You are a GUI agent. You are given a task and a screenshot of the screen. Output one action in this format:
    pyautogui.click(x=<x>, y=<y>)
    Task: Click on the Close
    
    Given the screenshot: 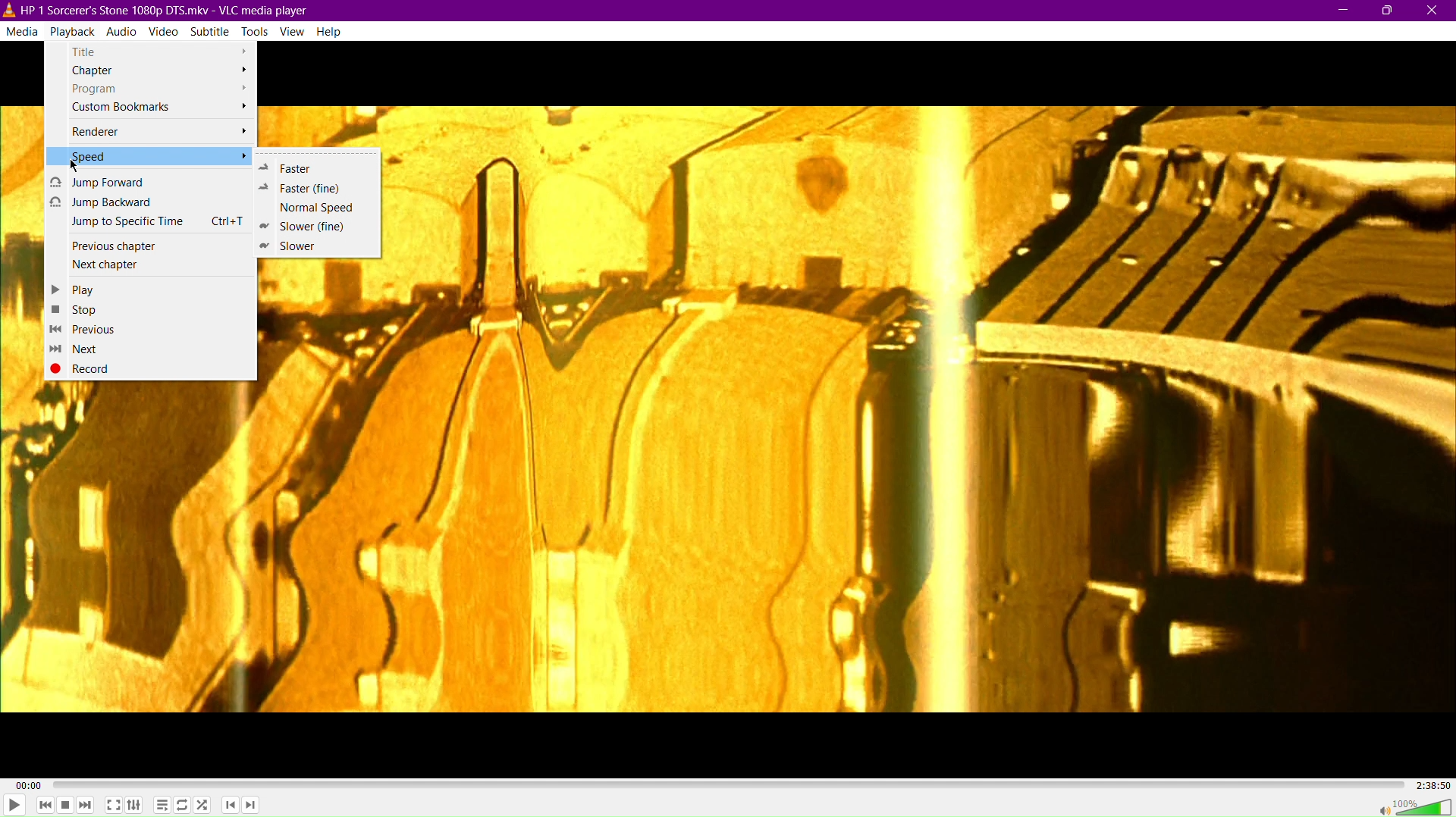 What is the action you would take?
    pyautogui.click(x=1433, y=10)
    